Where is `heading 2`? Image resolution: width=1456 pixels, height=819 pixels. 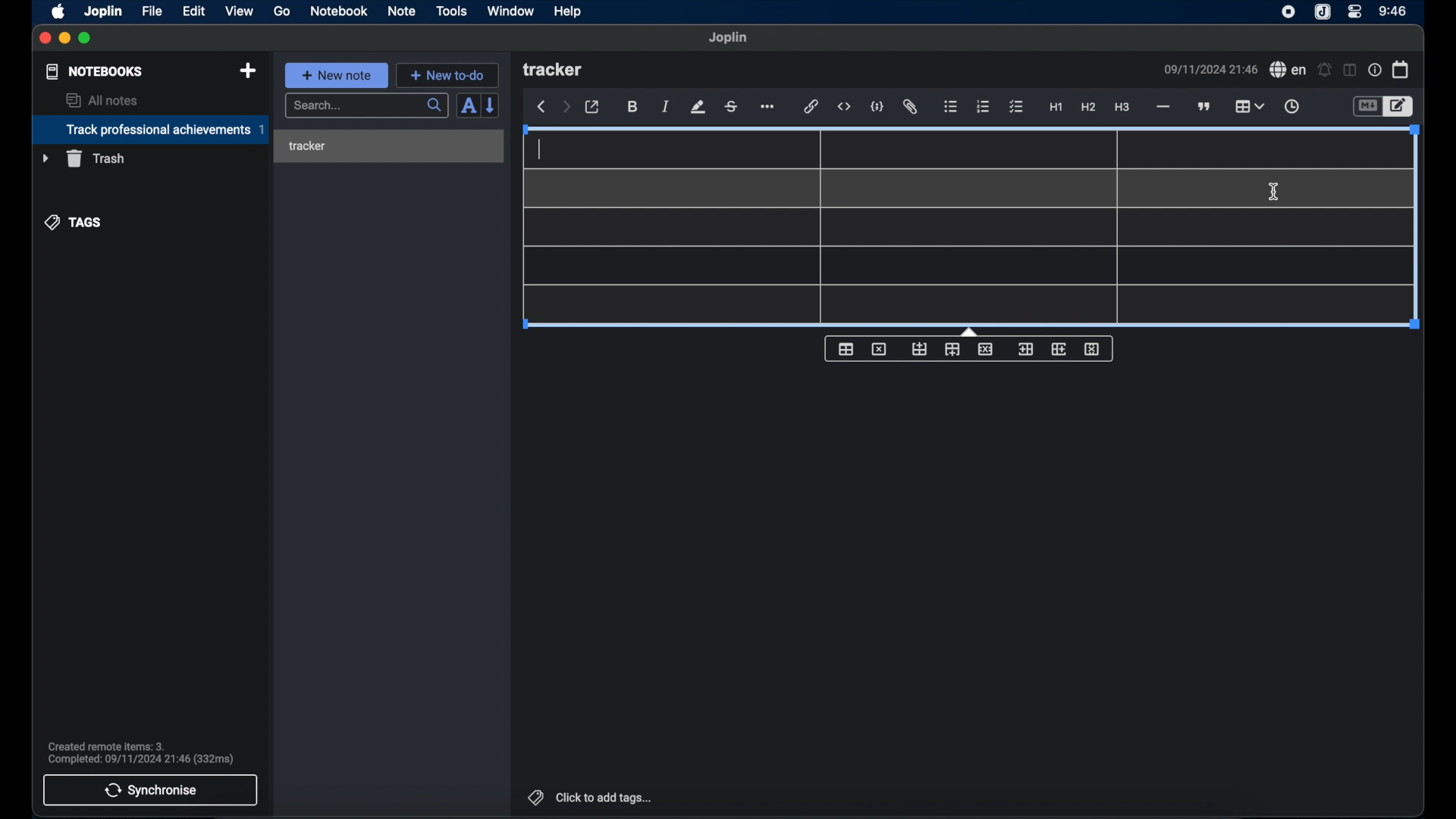
heading 2 is located at coordinates (1088, 108).